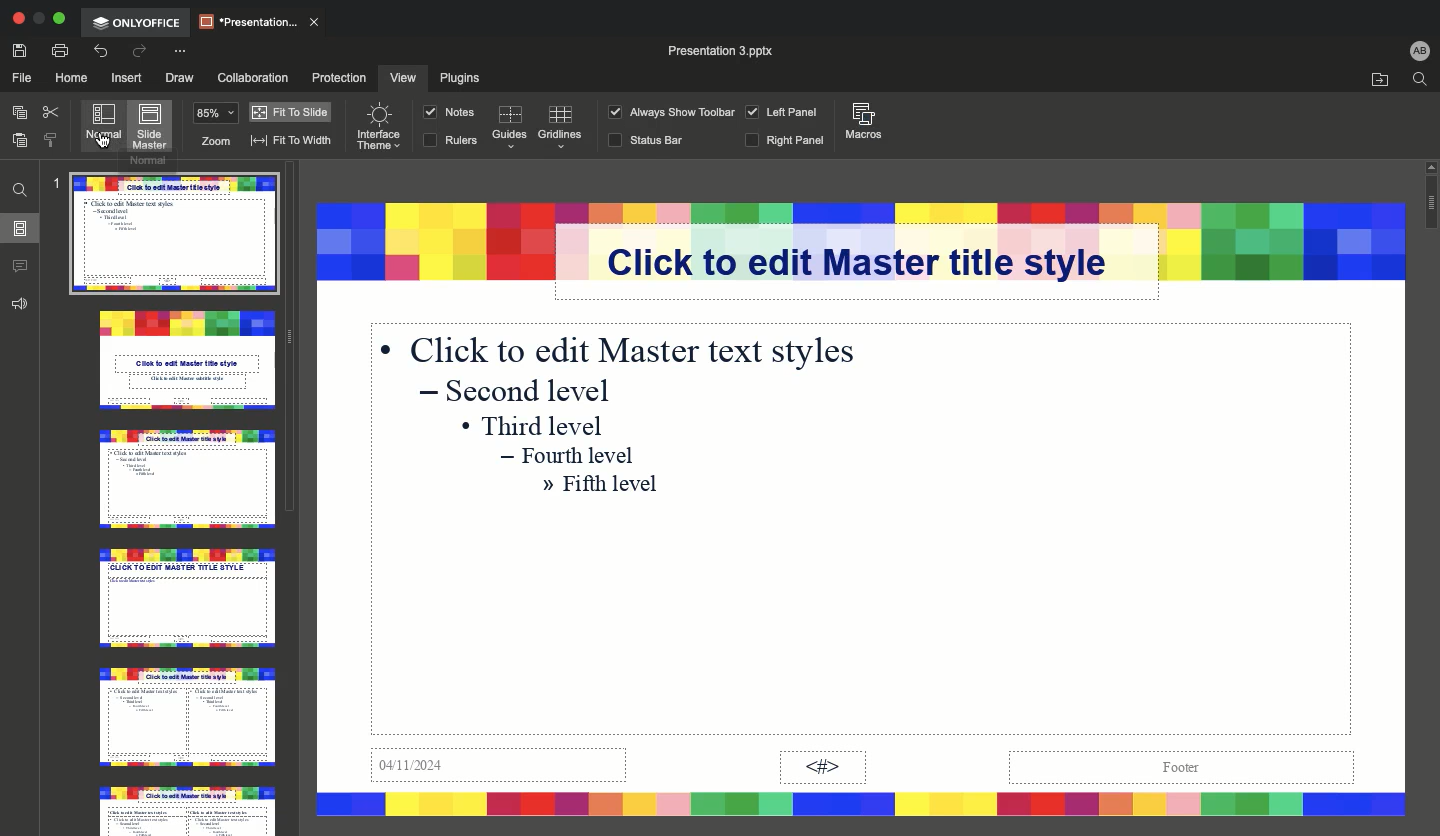 This screenshot has width=1440, height=836. I want to click on OnlyOffice, so click(139, 22).